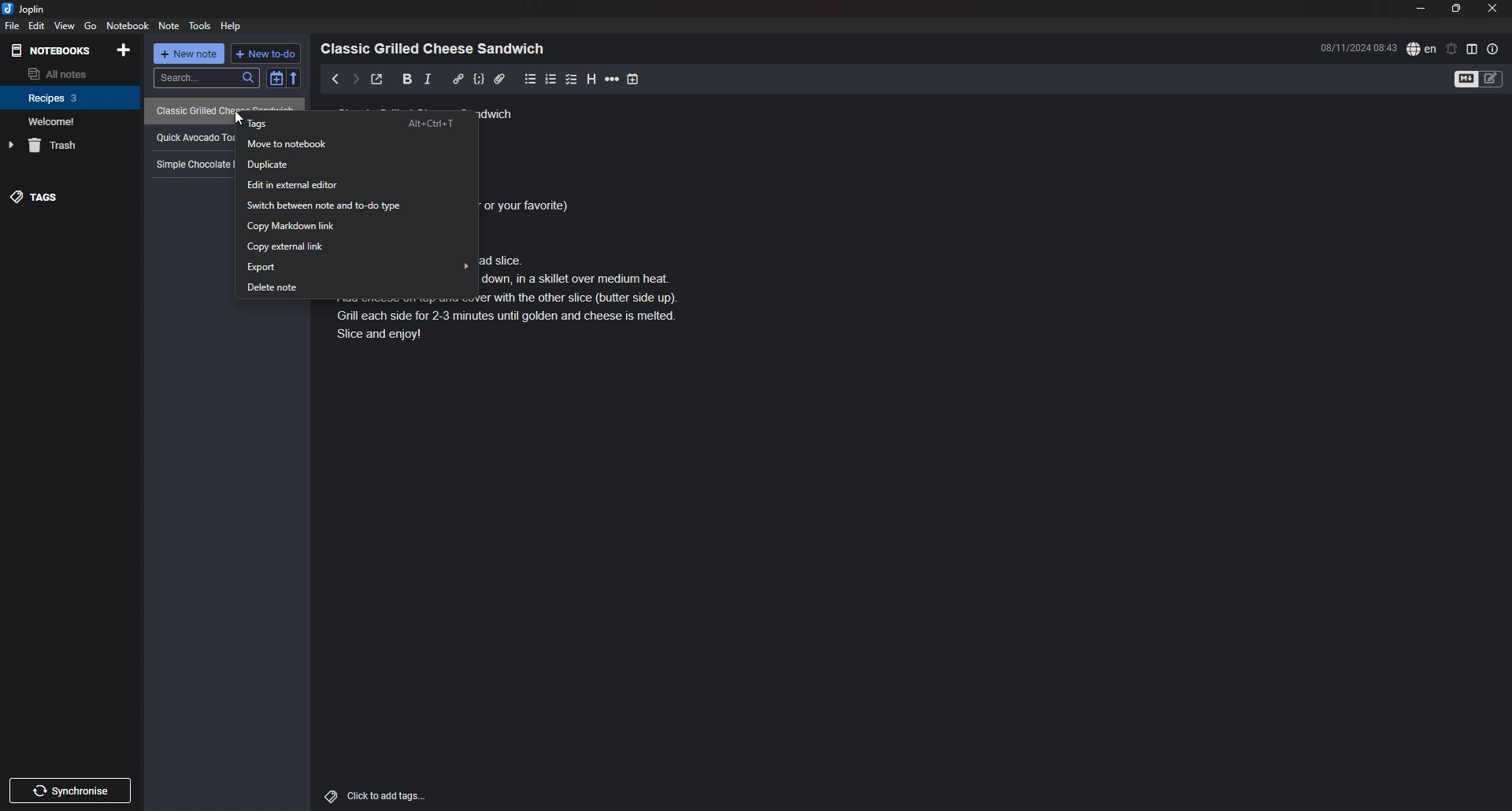  I want to click on notebook, so click(69, 121).